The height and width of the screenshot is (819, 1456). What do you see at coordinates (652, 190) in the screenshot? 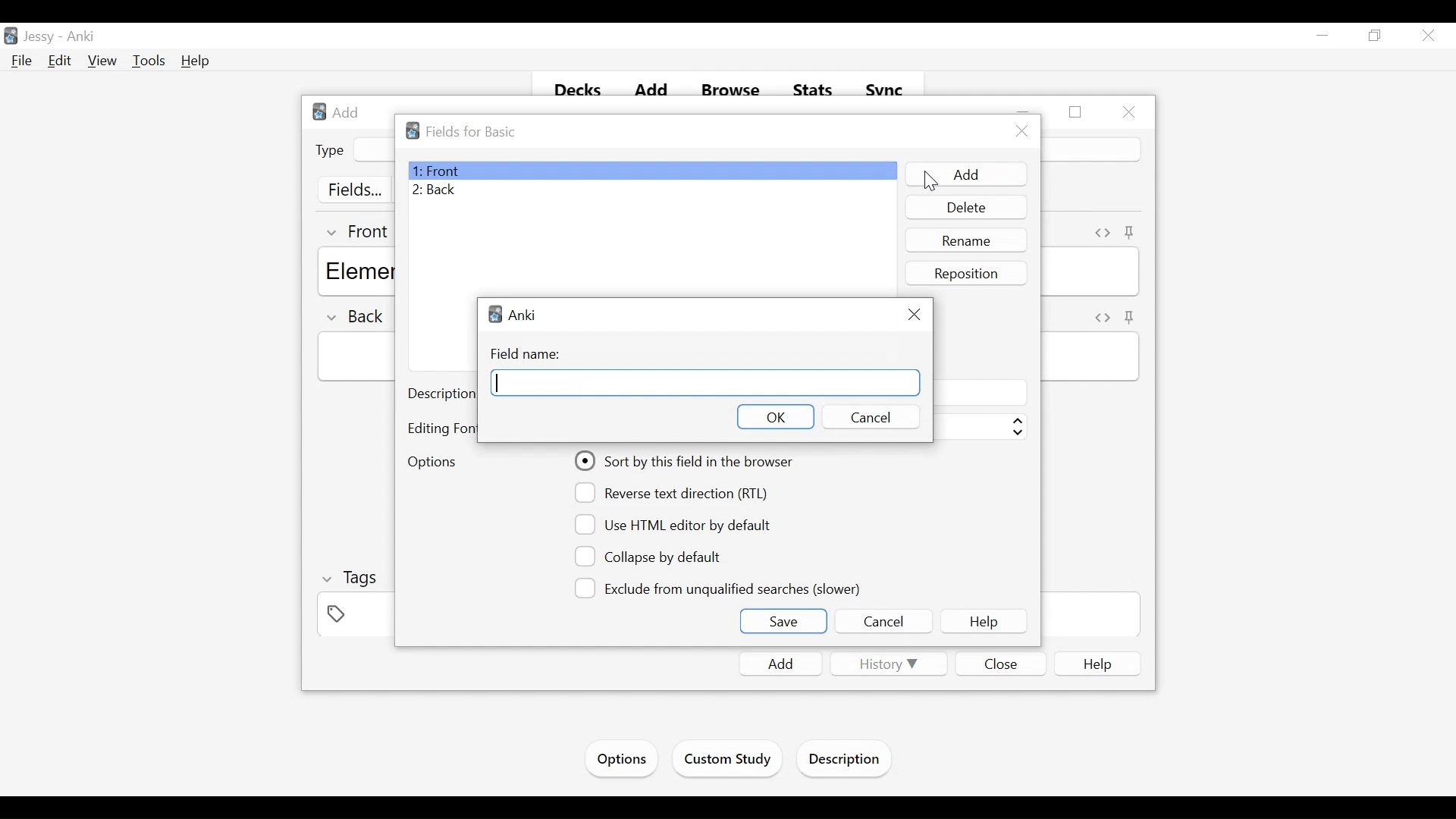
I see `Bac` at bounding box center [652, 190].